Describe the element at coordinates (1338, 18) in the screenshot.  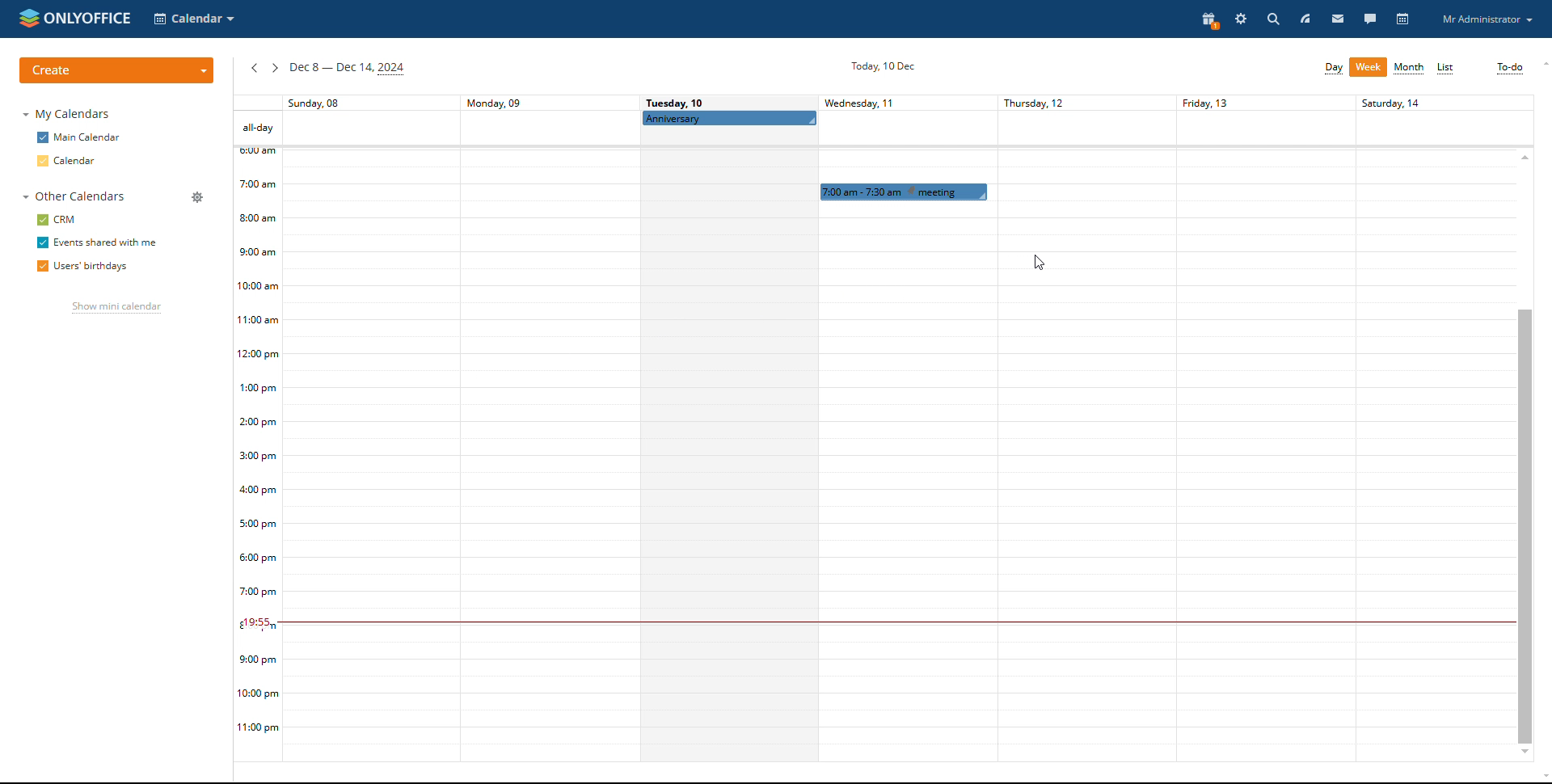
I see `mail` at that location.